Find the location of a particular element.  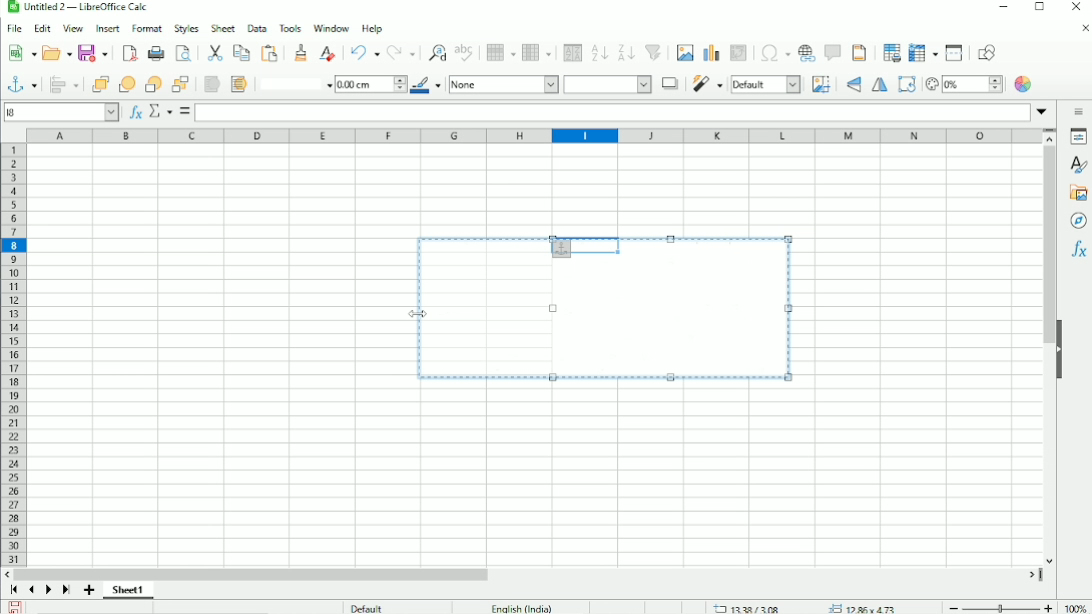

View is located at coordinates (73, 28).